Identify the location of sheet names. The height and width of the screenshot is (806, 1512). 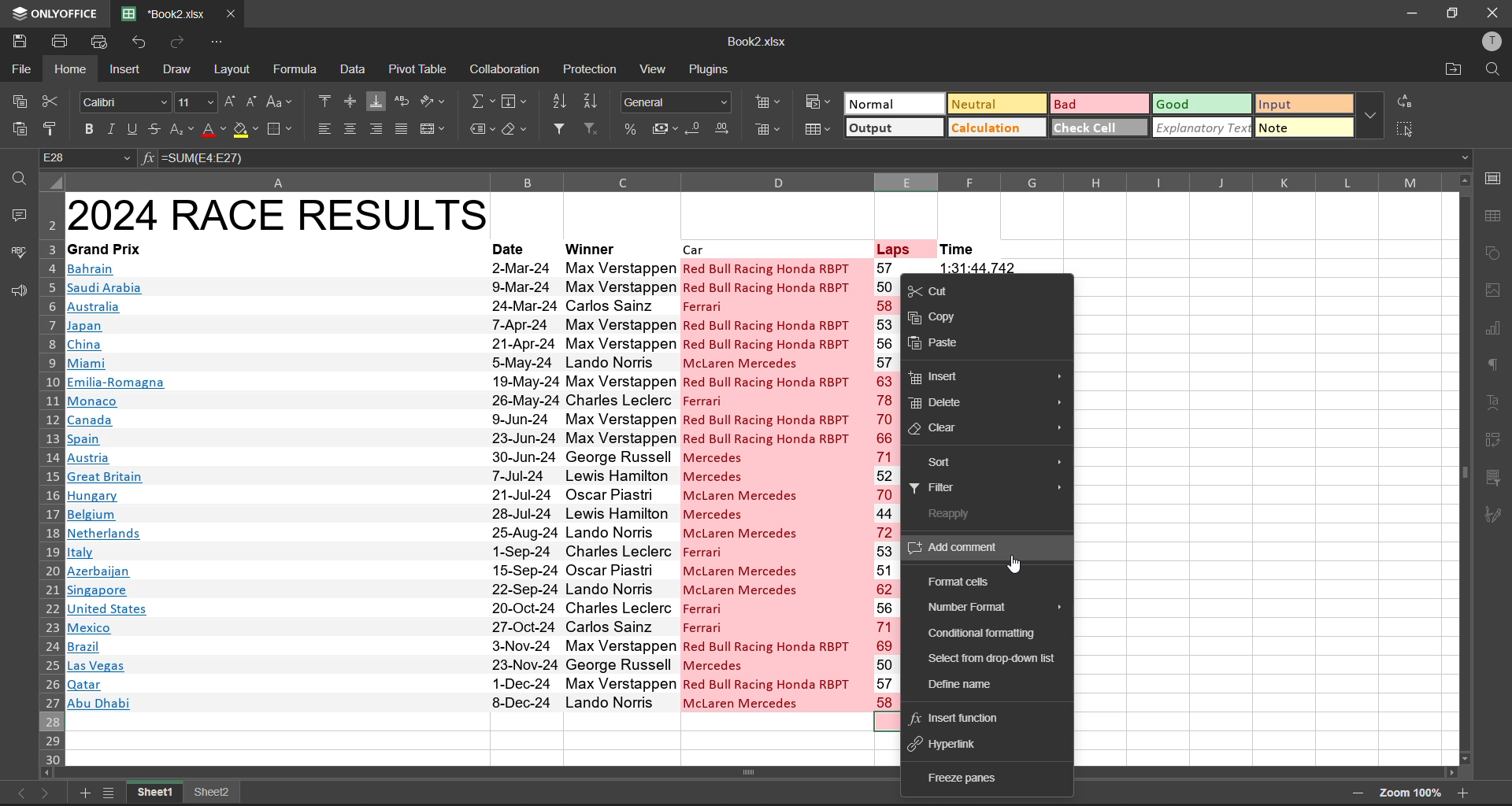
(213, 793).